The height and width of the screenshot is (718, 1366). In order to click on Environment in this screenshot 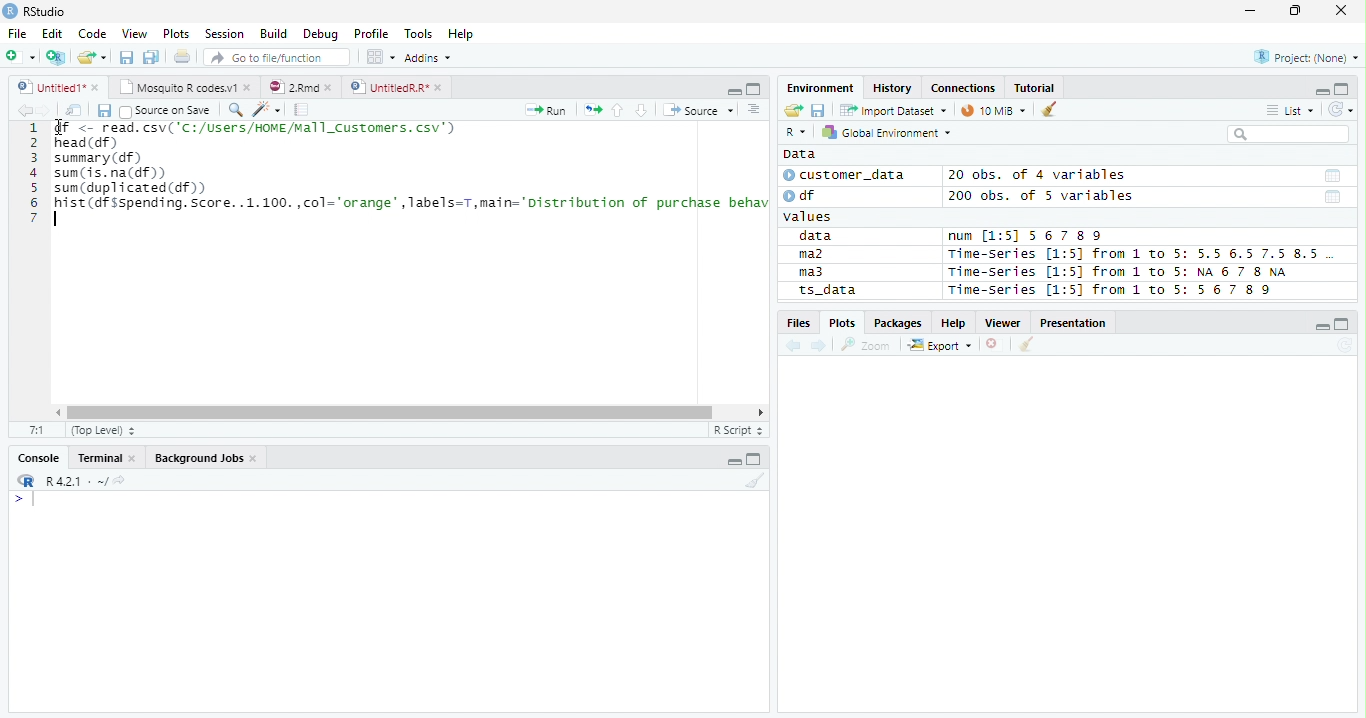, I will do `click(822, 88)`.